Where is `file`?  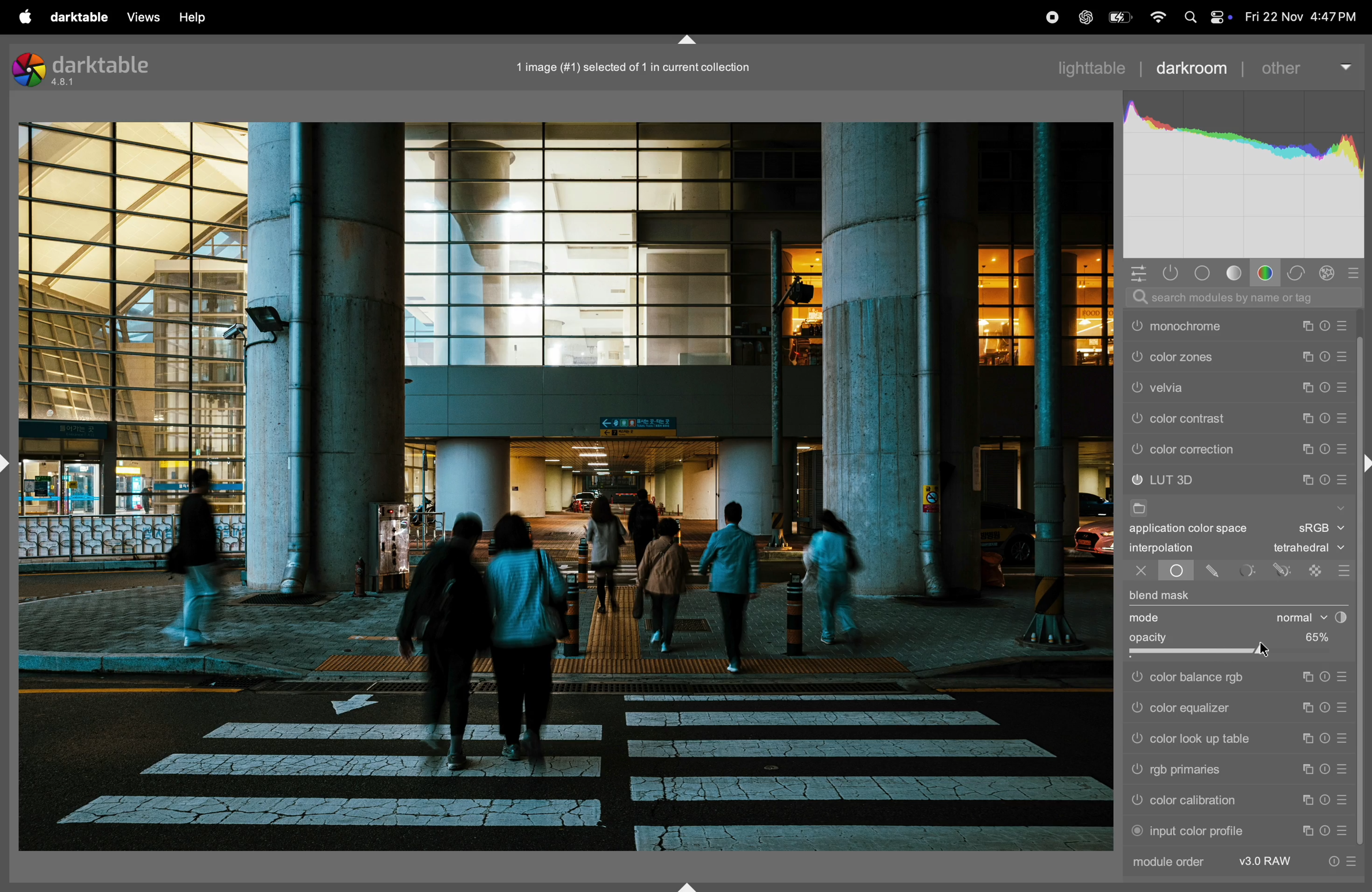
file is located at coordinates (1143, 508).